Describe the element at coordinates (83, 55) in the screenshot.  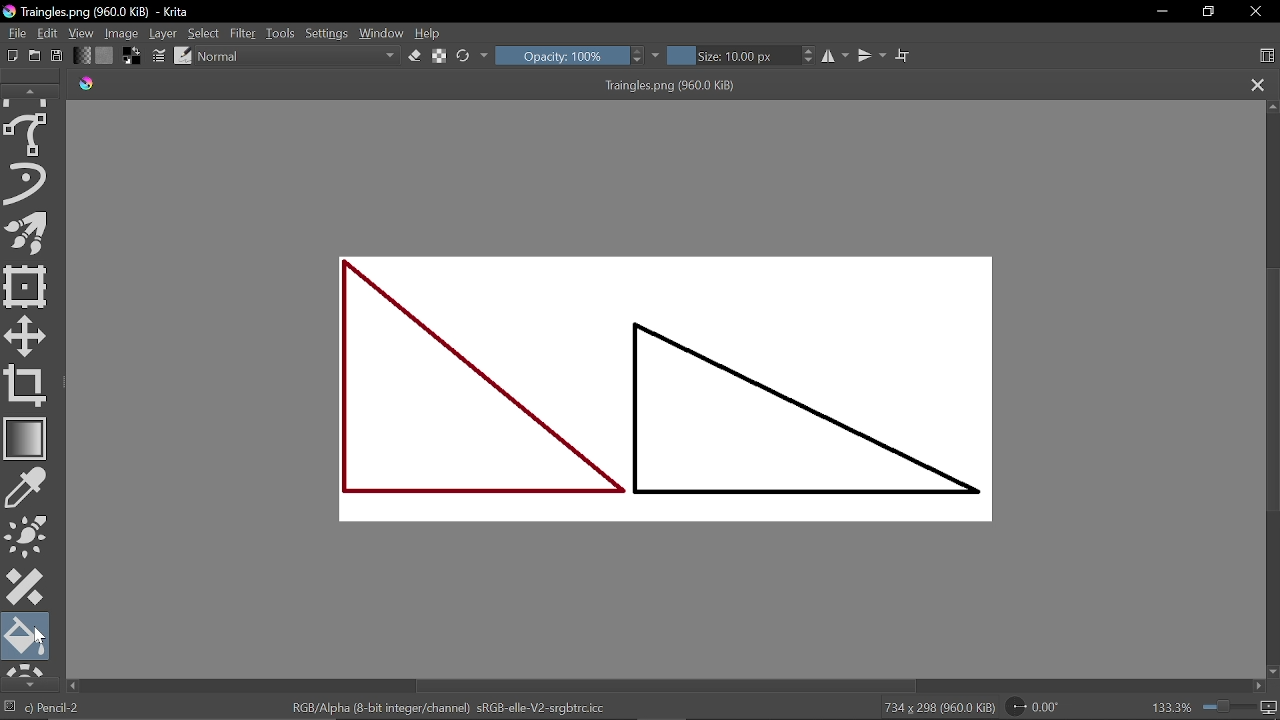
I see `Fill gradient` at that location.